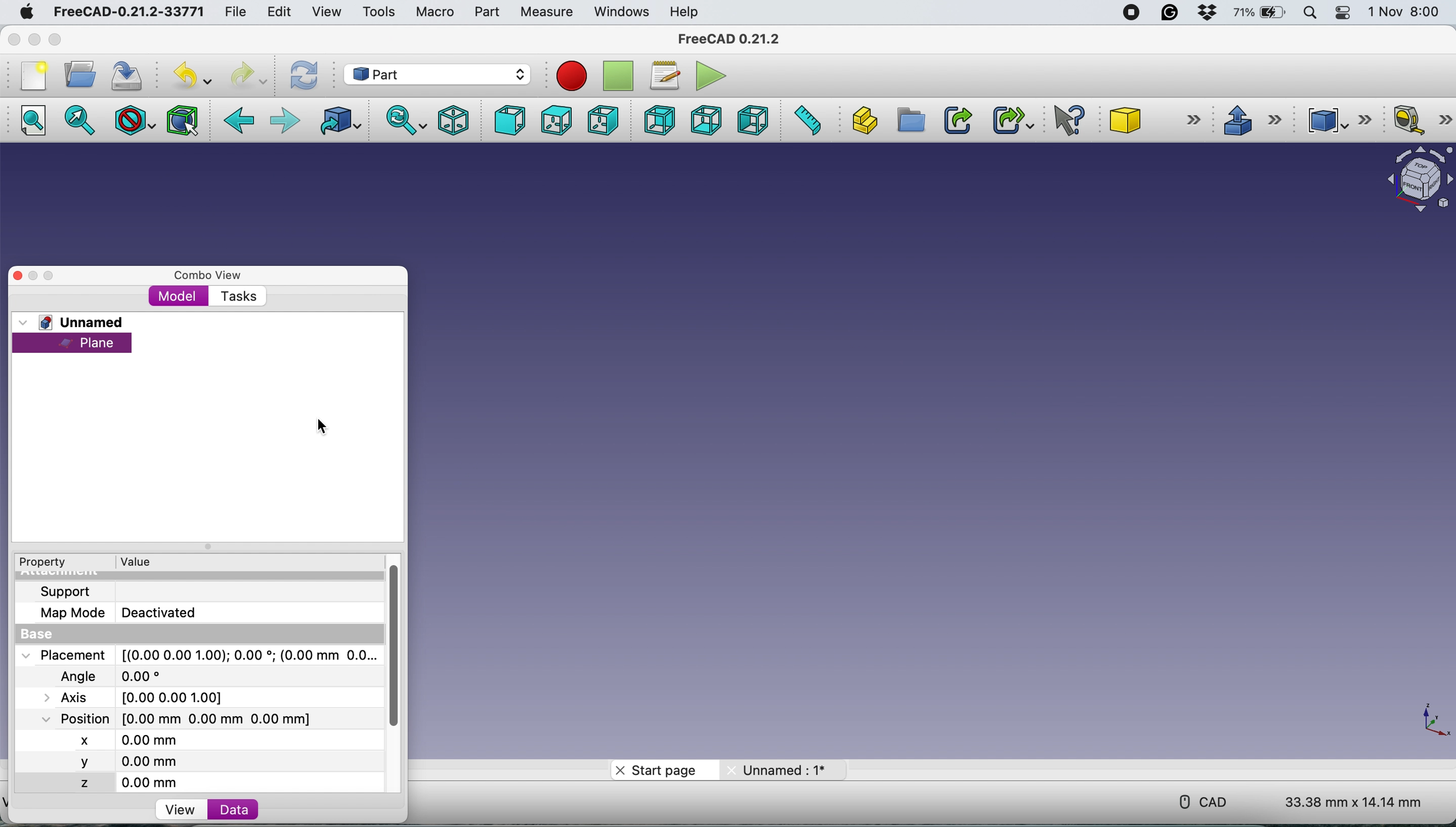 The image size is (1456, 827). Describe the element at coordinates (193, 76) in the screenshot. I see `undo` at that location.